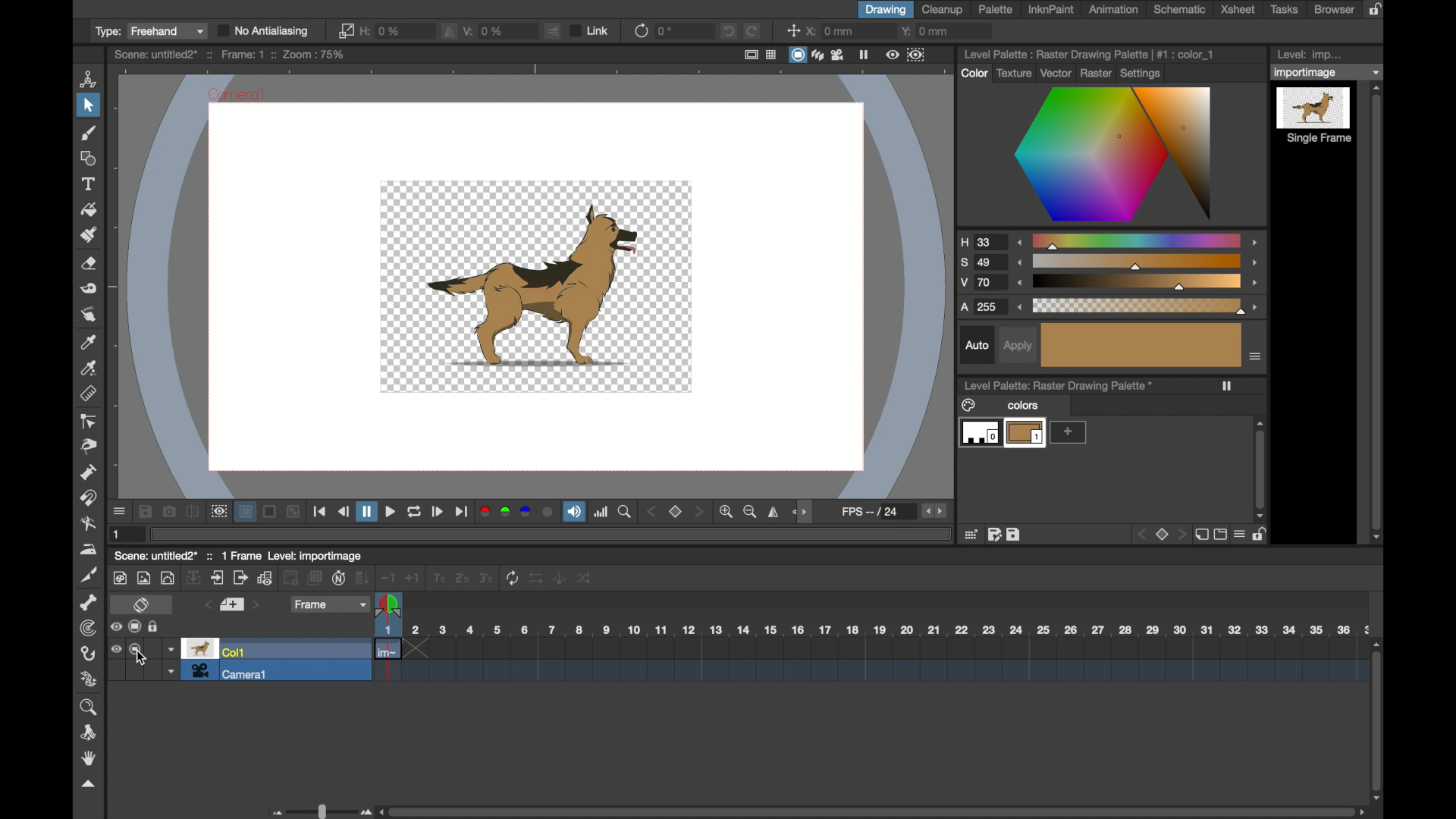  What do you see at coordinates (116, 627) in the screenshot?
I see `eye` at bounding box center [116, 627].